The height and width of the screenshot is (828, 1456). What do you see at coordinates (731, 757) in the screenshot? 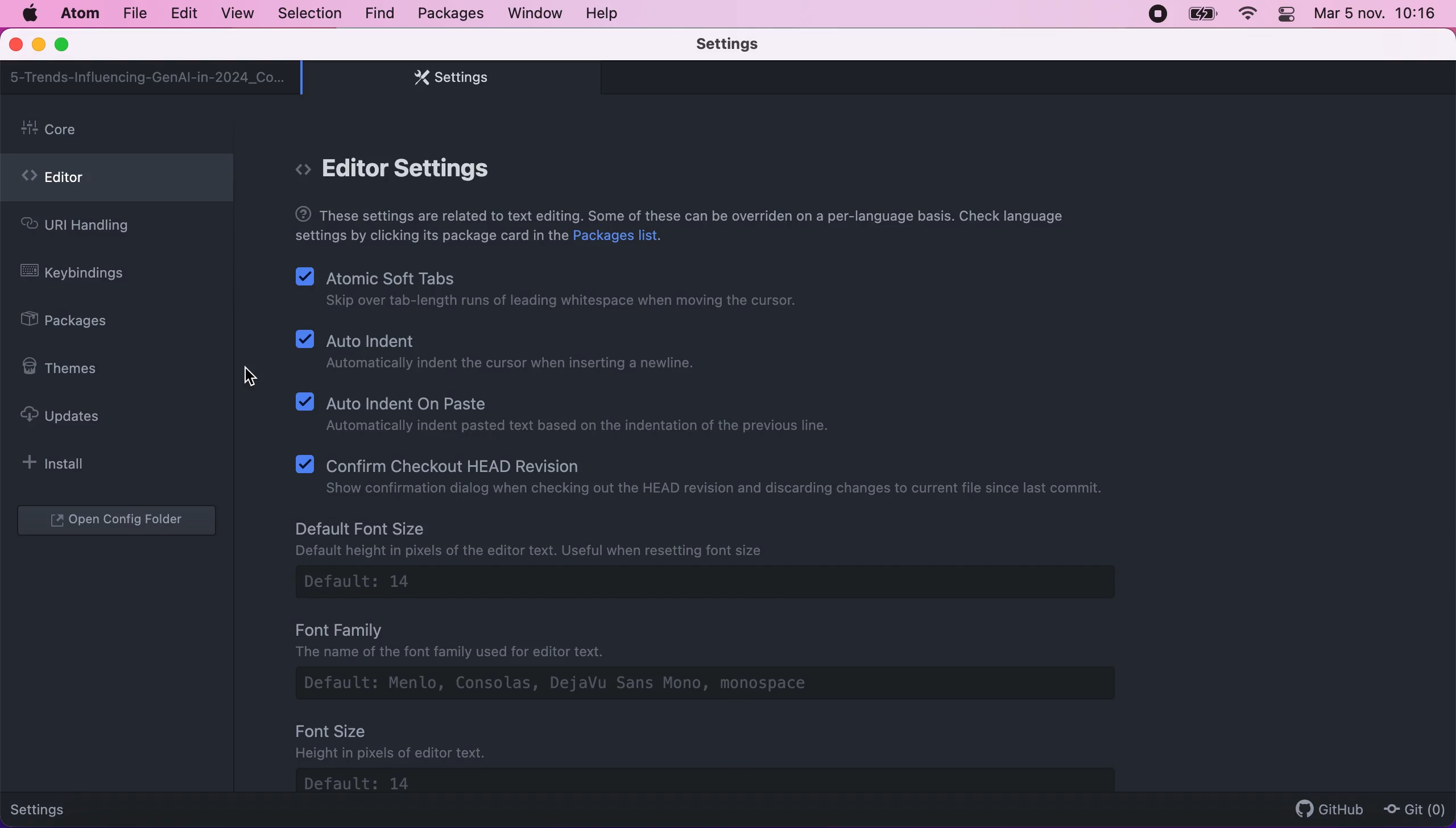
I see `font size` at bounding box center [731, 757].